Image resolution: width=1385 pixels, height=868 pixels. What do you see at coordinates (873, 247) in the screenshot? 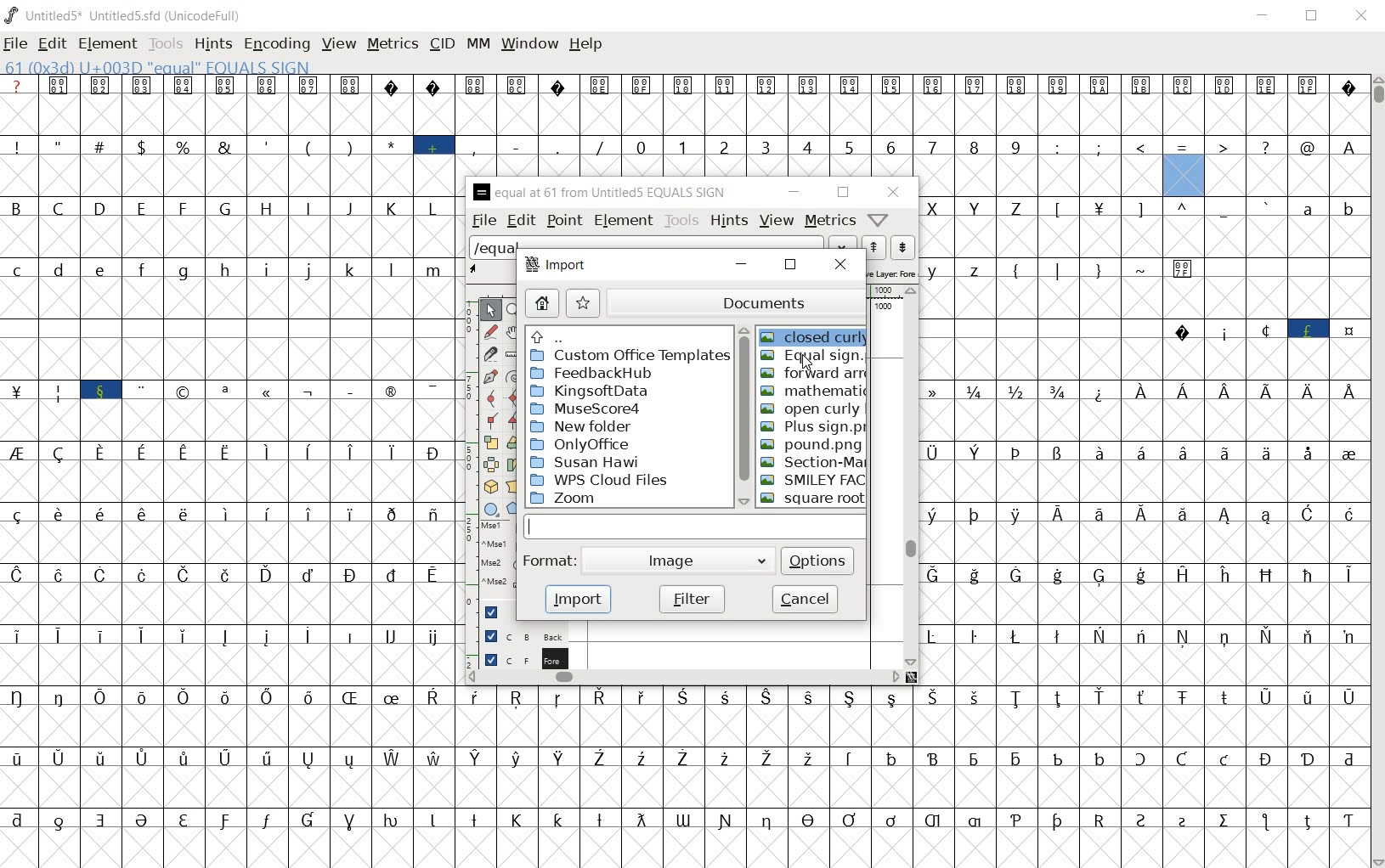
I see `show the next word on the list` at bounding box center [873, 247].